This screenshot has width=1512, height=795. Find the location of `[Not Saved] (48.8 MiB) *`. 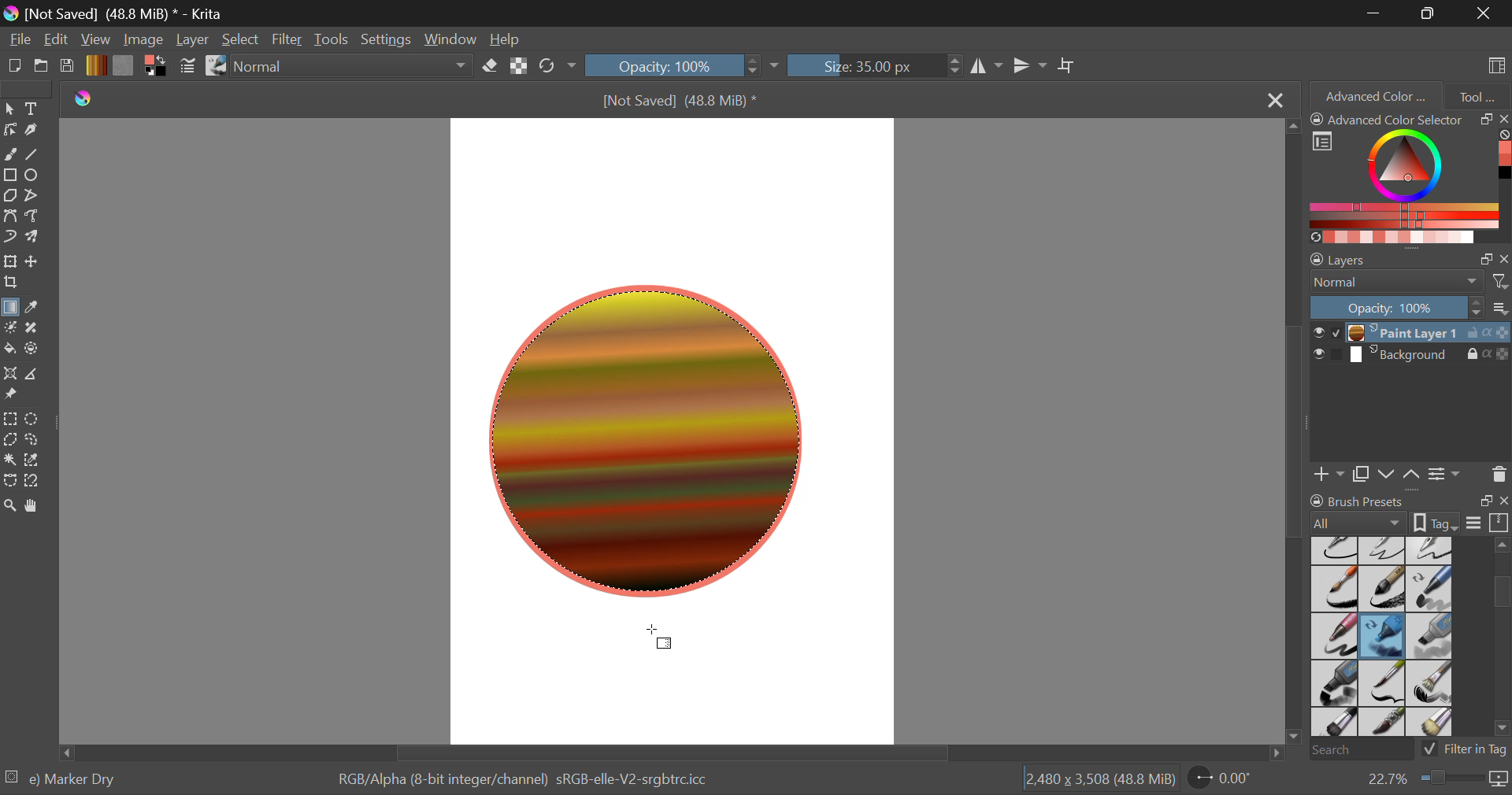

[Not Saved] (48.8 MiB) * is located at coordinates (688, 102).